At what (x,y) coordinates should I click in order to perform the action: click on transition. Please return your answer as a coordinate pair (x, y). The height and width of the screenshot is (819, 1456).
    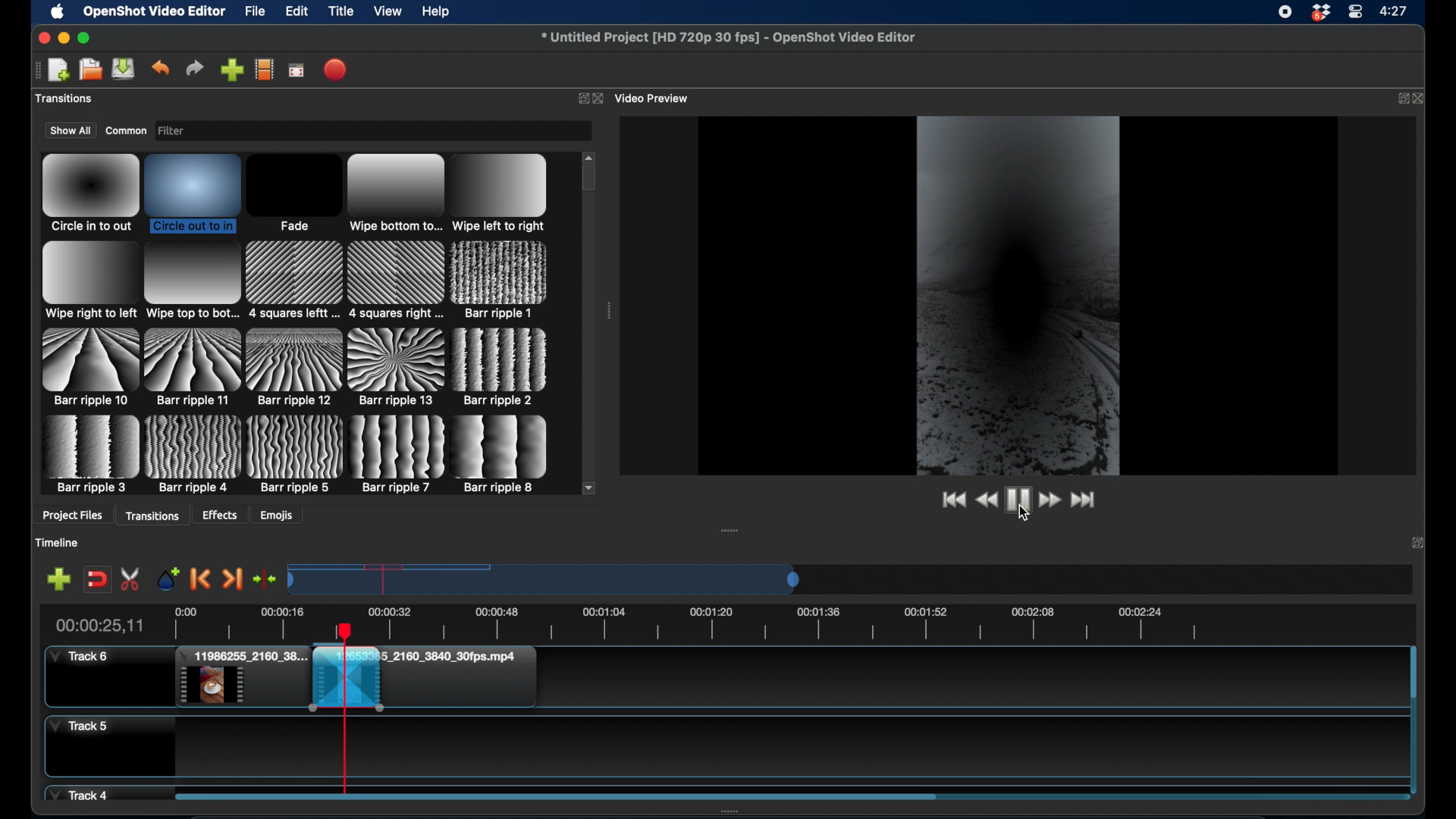
    Looking at the image, I should click on (193, 366).